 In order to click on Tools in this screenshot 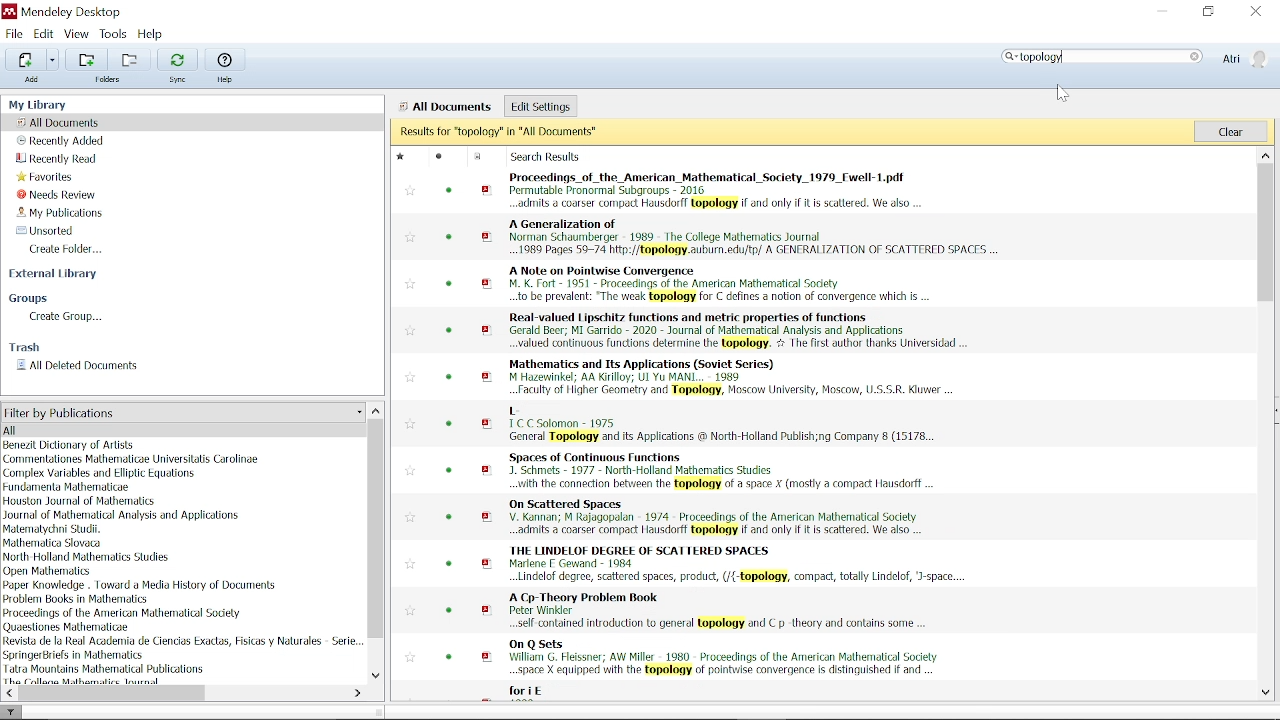, I will do `click(113, 33)`.